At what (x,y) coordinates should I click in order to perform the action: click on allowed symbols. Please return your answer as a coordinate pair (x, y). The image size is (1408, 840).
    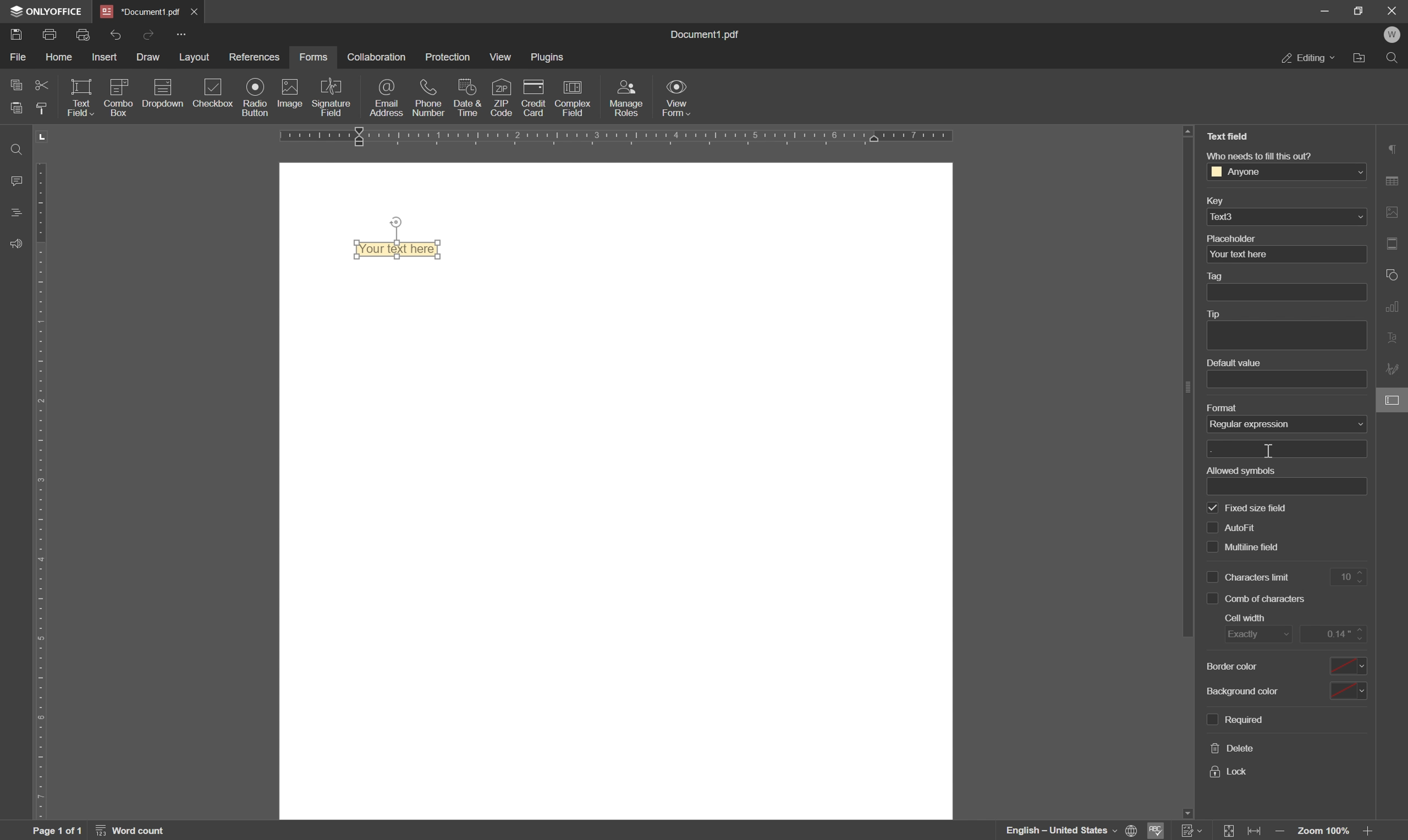
    Looking at the image, I should click on (1239, 469).